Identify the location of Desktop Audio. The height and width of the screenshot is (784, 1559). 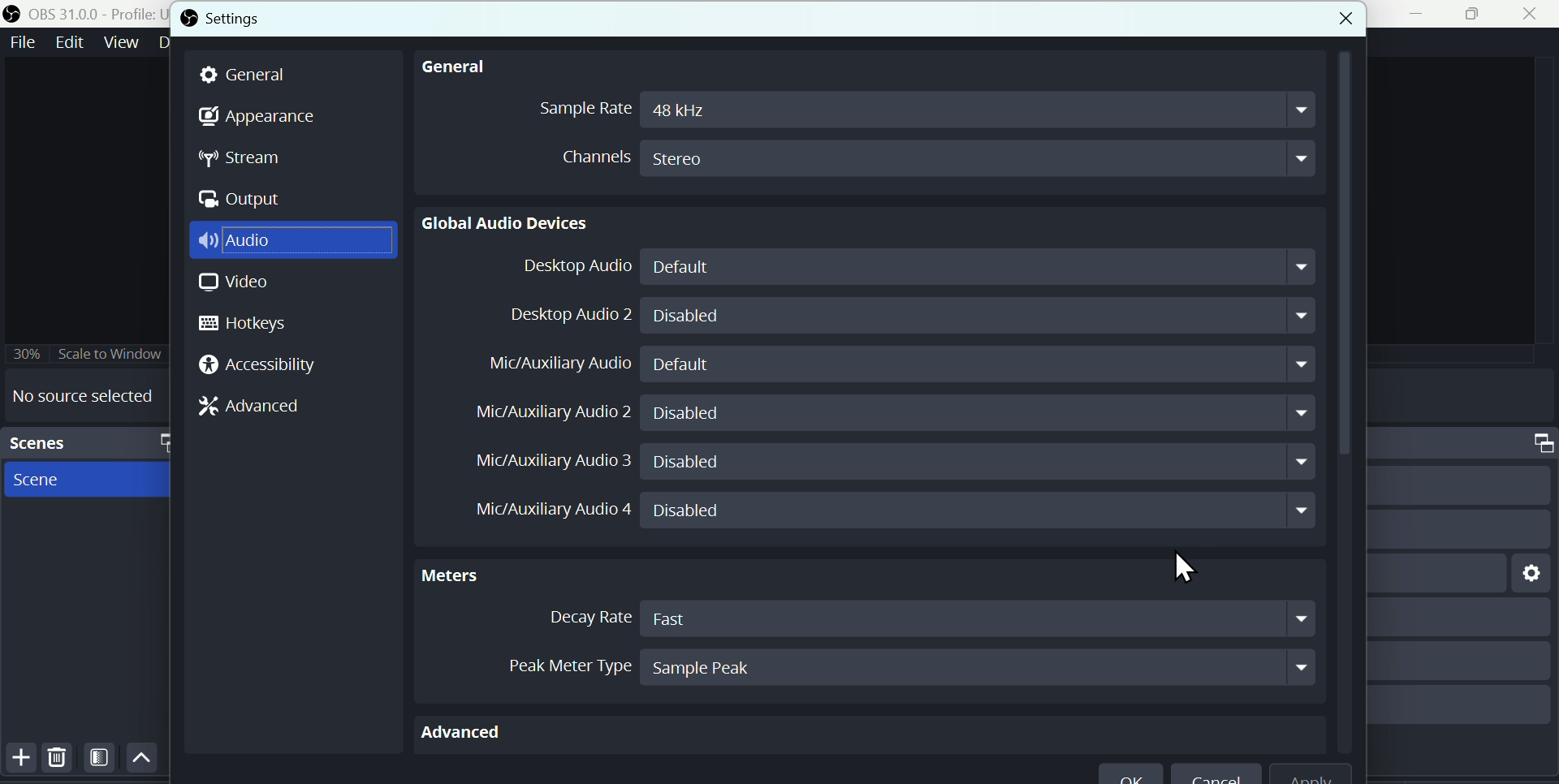
(578, 269).